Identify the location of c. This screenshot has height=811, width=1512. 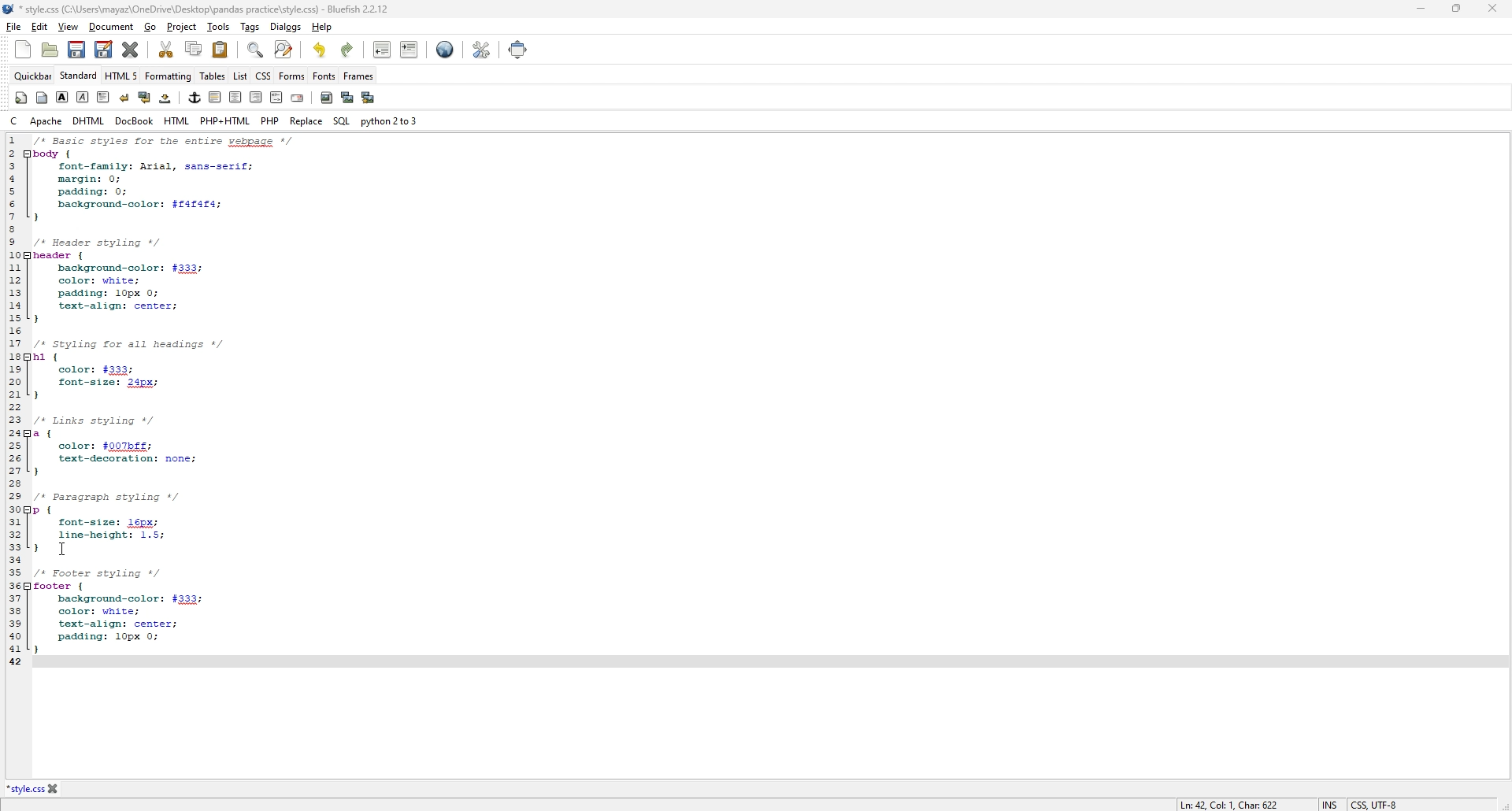
(14, 120).